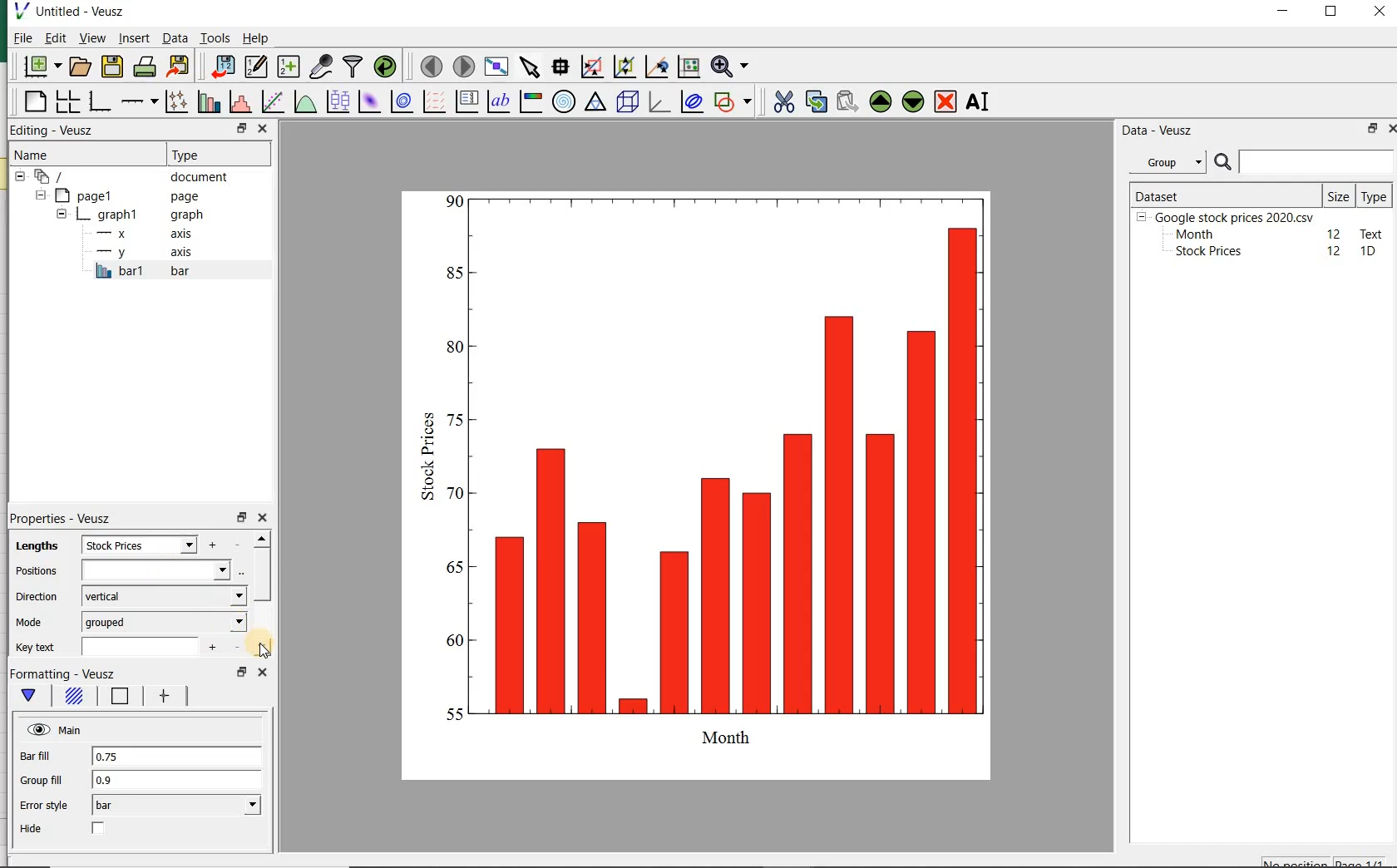  I want to click on view plot full screen, so click(496, 67).